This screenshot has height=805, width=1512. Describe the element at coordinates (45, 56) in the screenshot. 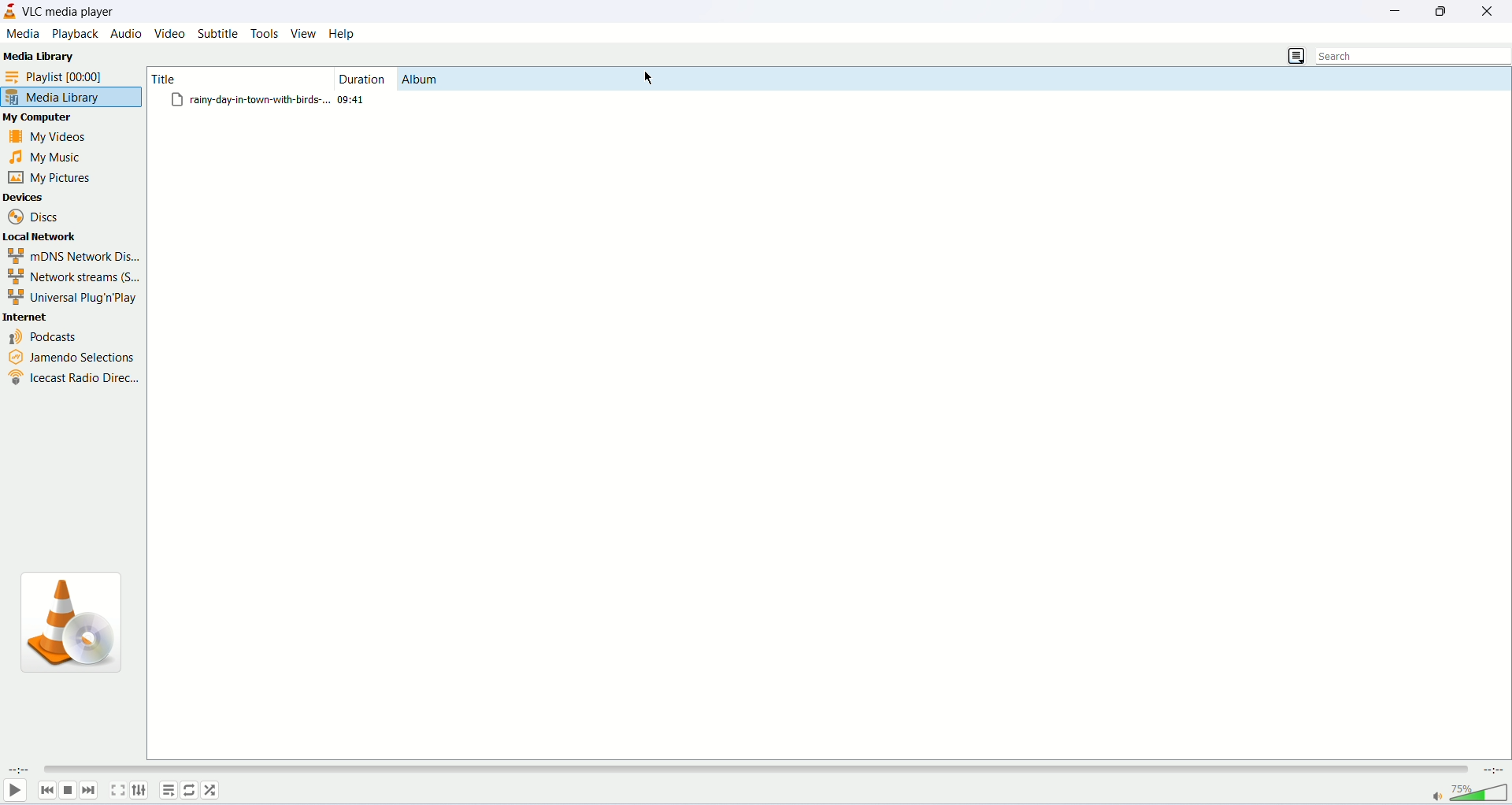

I see `Media Library` at that location.